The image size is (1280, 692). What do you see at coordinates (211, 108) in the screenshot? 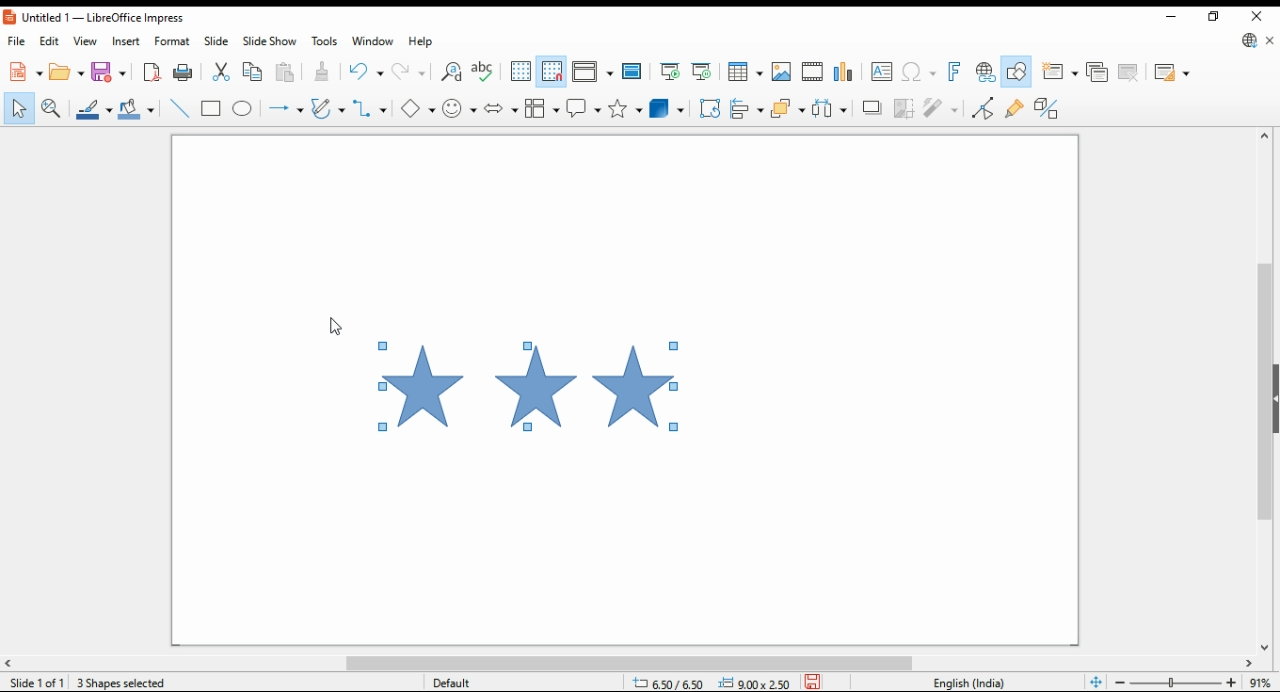
I see `rectangle` at bounding box center [211, 108].